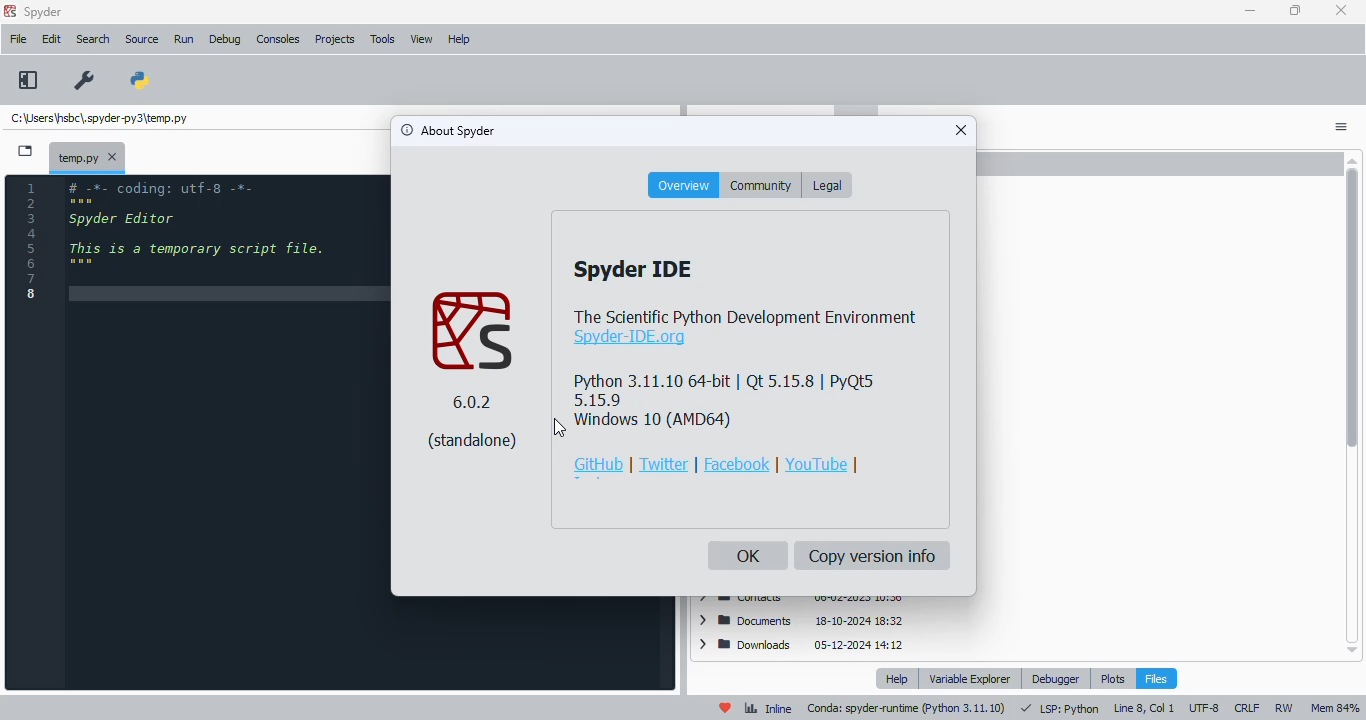 The height and width of the screenshot is (720, 1366). Describe the element at coordinates (334, 41) in the screenshot. I see `projects` at that location.